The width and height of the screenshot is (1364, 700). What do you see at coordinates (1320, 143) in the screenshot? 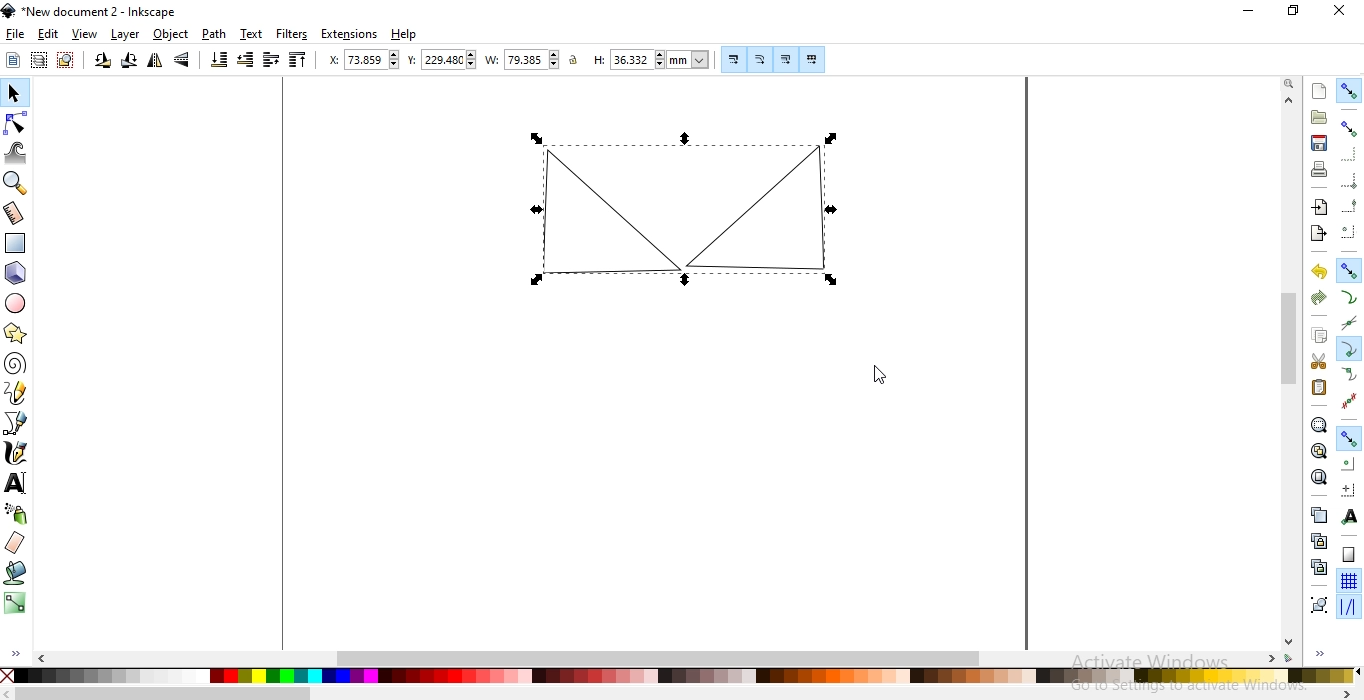
I see `save document` at bounding box center [1320, 143].